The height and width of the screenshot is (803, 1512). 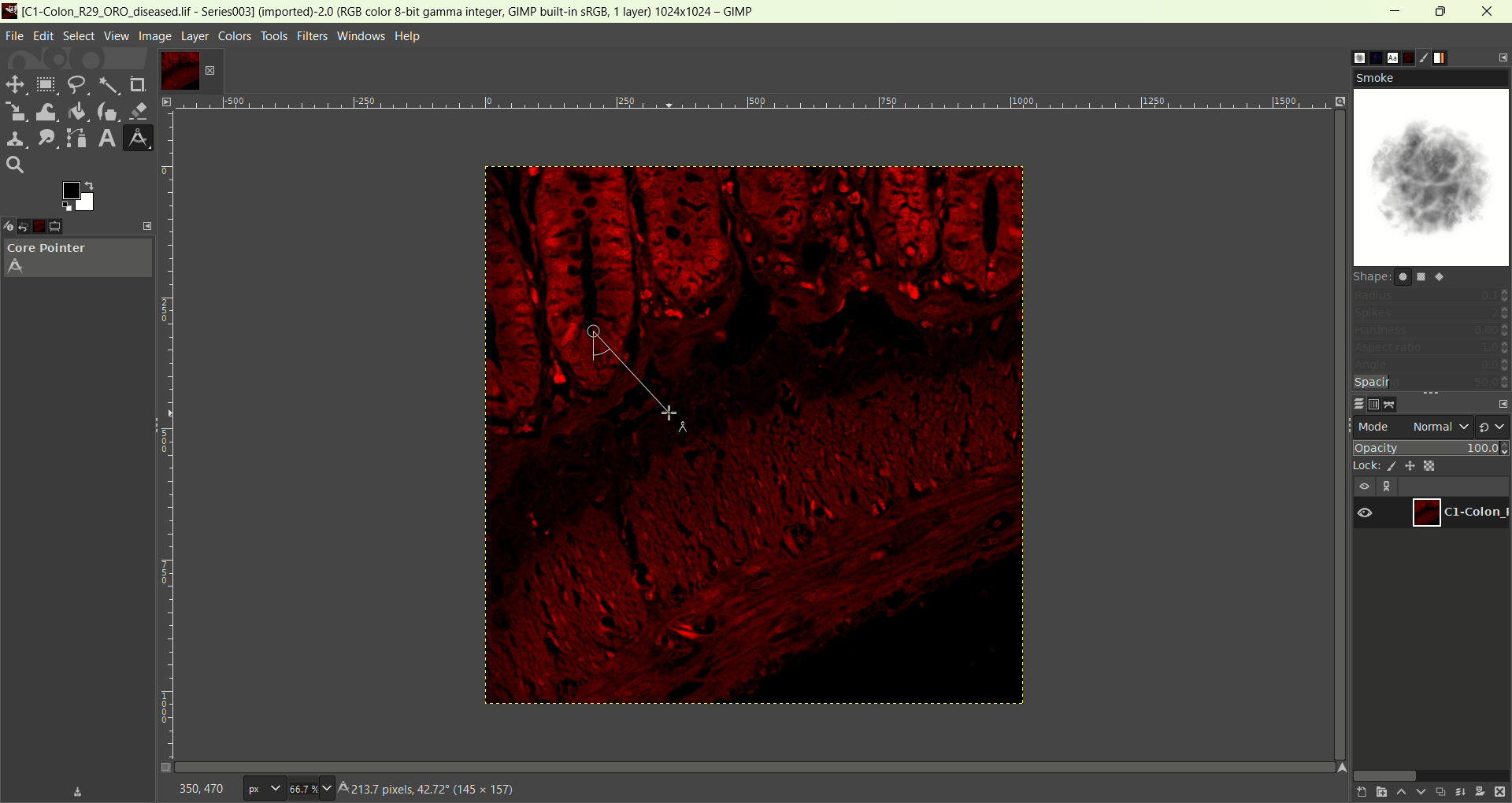 What do you see at coordinates (398, 11) in the screenshot?
I see `title` at bounding box center [398, 11].